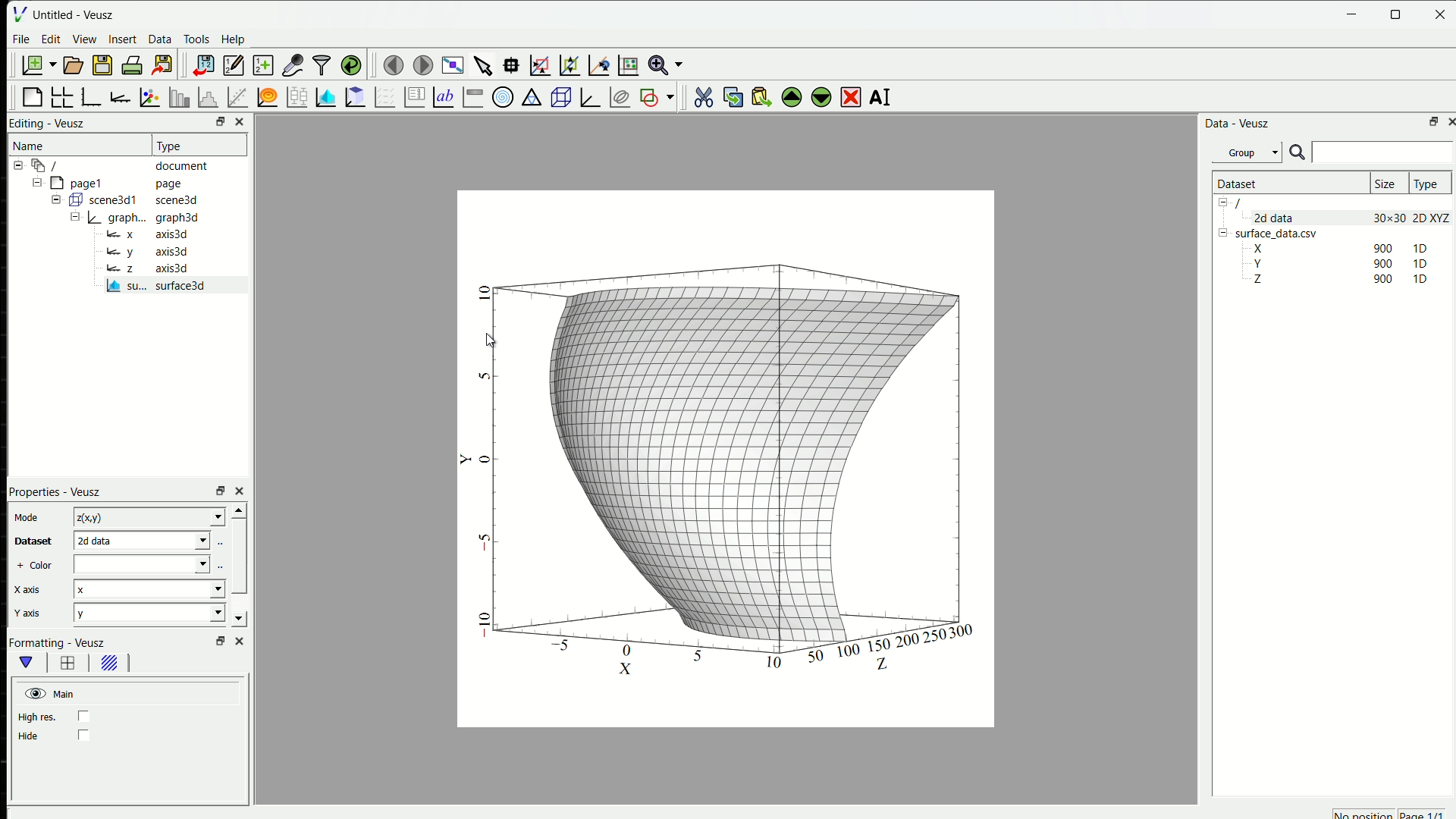 Image resolution: width=1456 pixels, height=819 pixels. What do you see at coordinates (734, 97) in the screenshot?
I see `copy the selected widget` at bounding box center [734, 97].